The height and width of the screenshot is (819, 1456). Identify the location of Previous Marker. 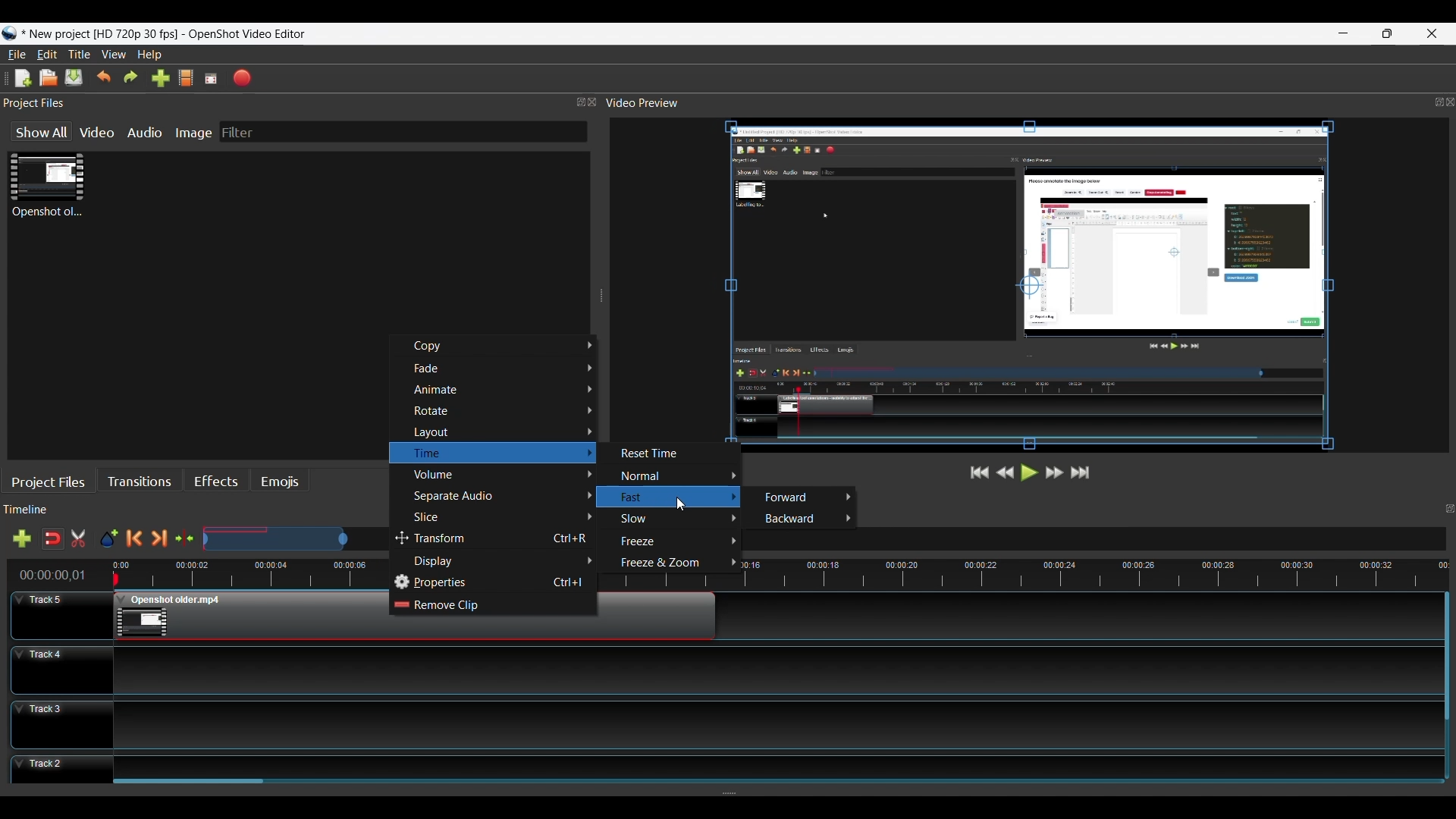
(134, 539).